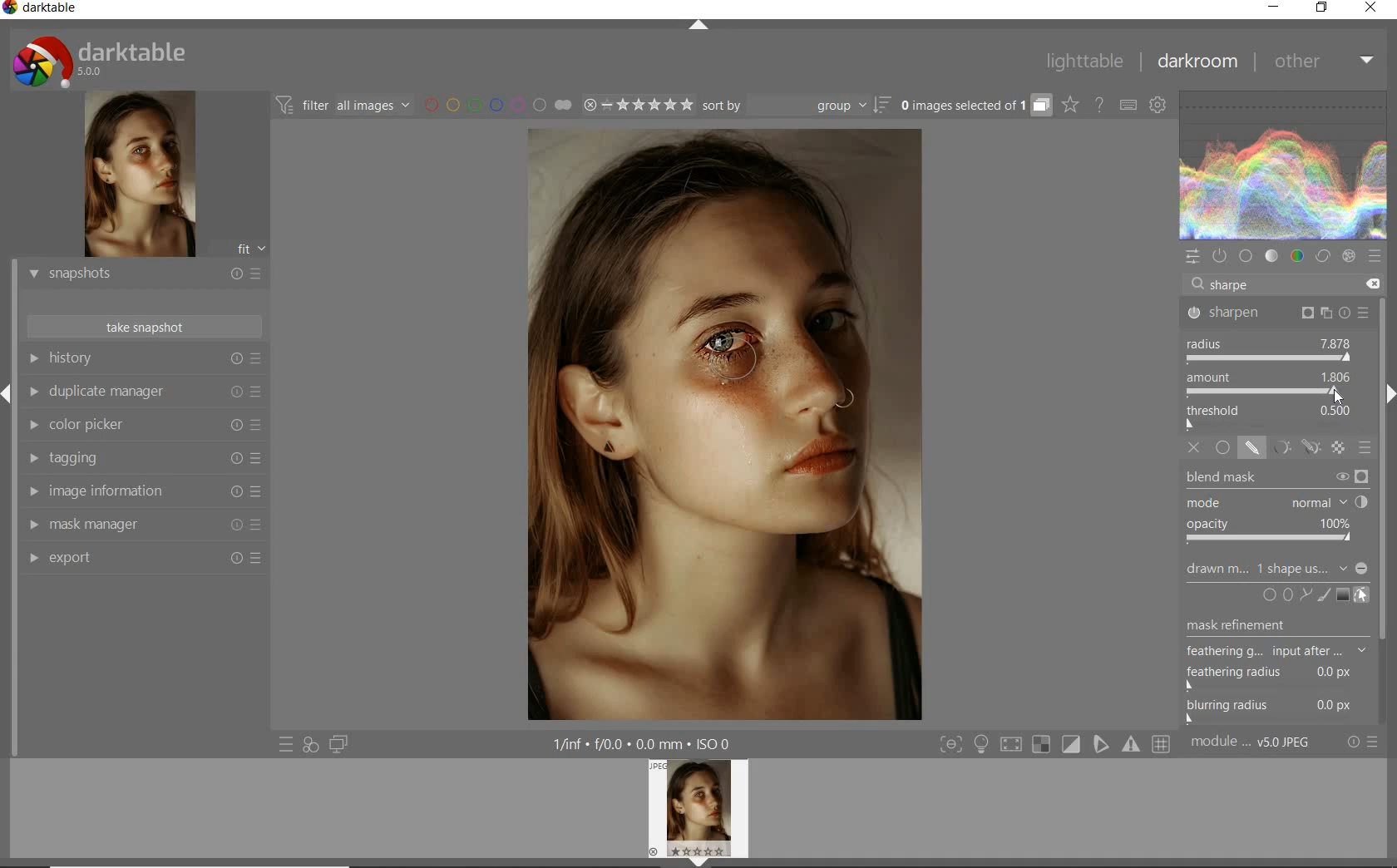 Image resolution: width=1397 pixels, height=868 pixels. What do you see at coordinates (1387, 510) in the screenshot?
I see `scrollbar` at bounding box center [1387, 510].